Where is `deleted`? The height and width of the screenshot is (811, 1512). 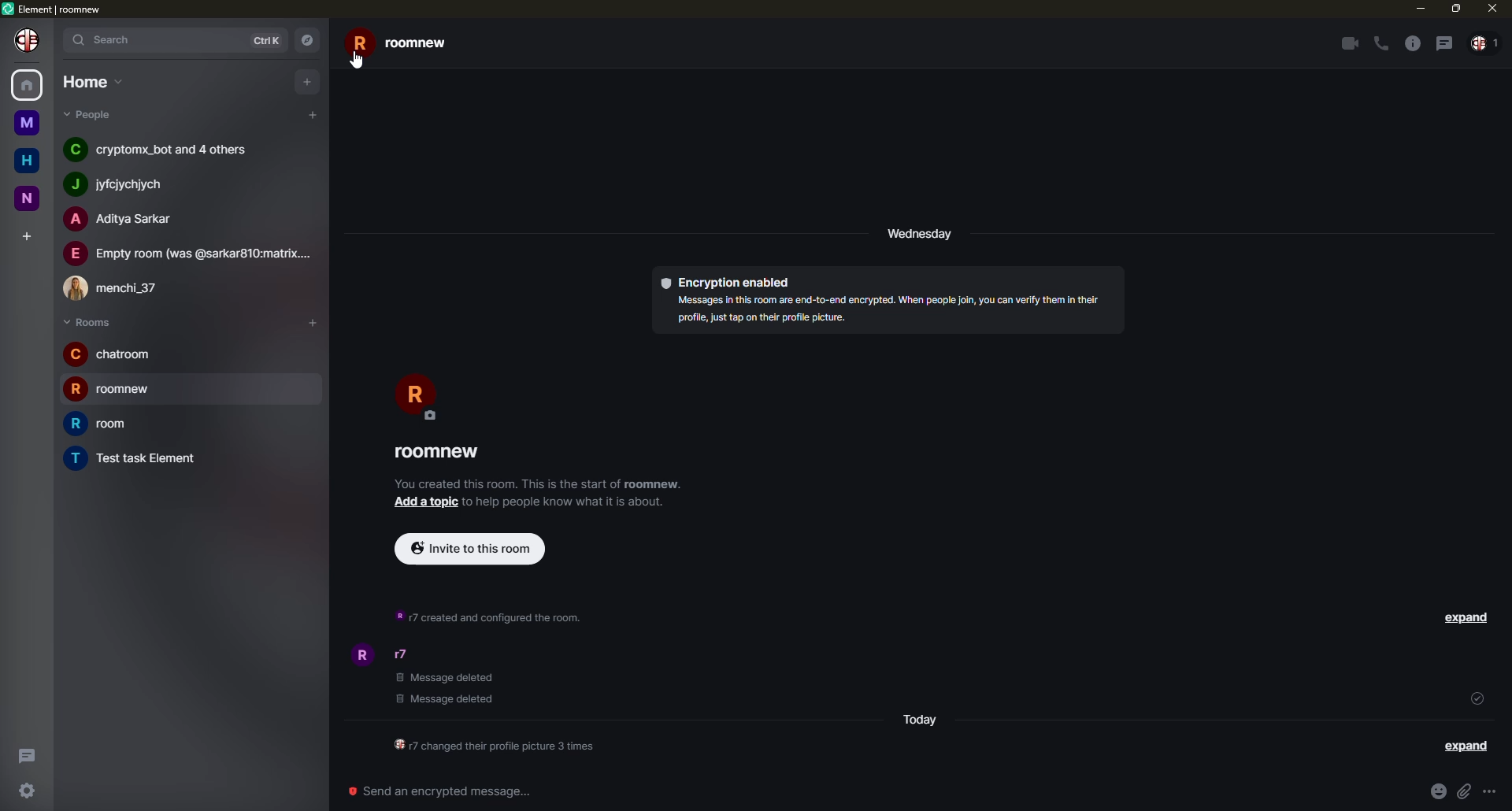
deleted is located at coordinates (450, 690).